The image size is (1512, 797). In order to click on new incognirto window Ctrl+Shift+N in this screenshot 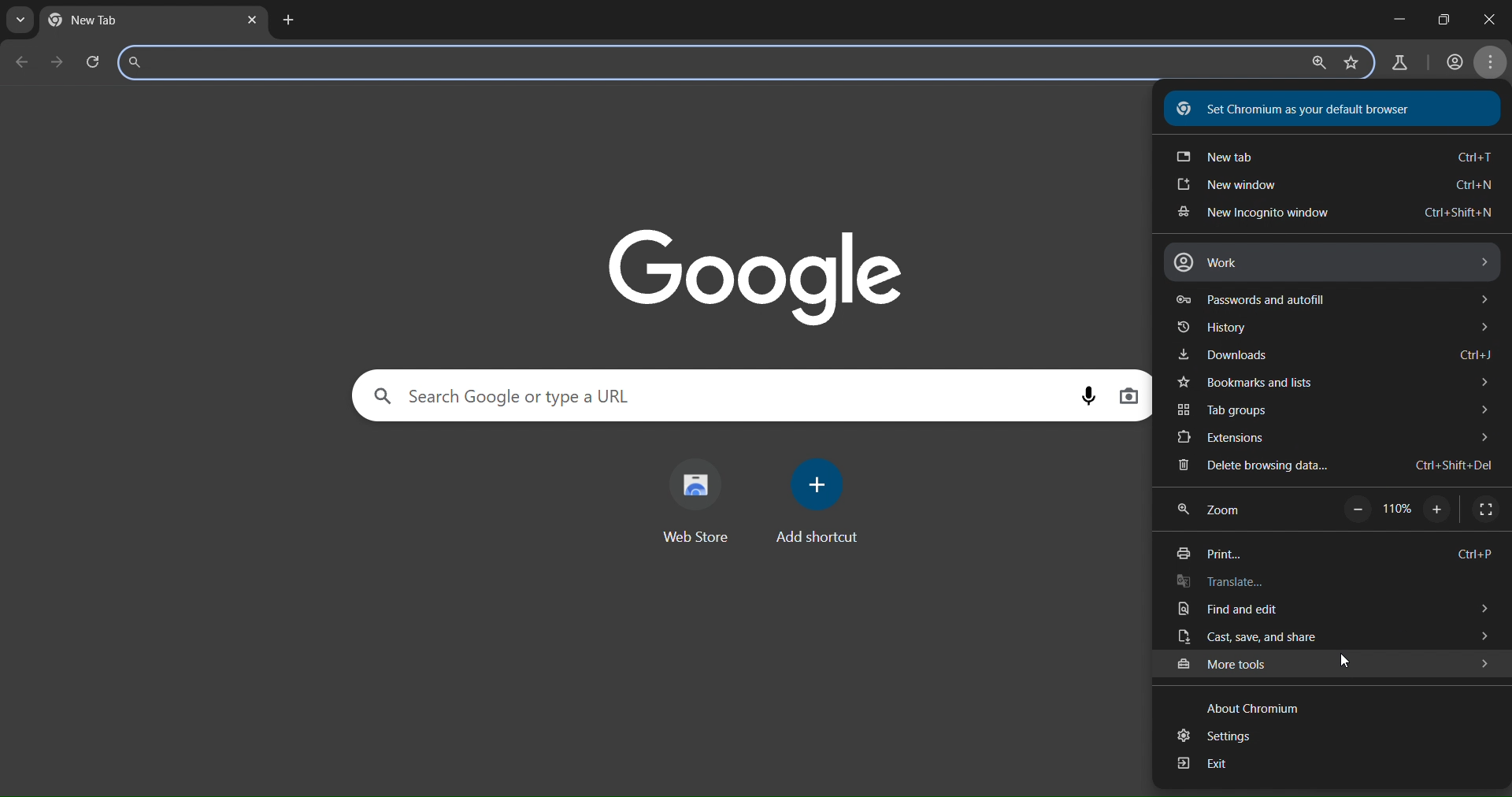, I will do `click(1331, 215)`.